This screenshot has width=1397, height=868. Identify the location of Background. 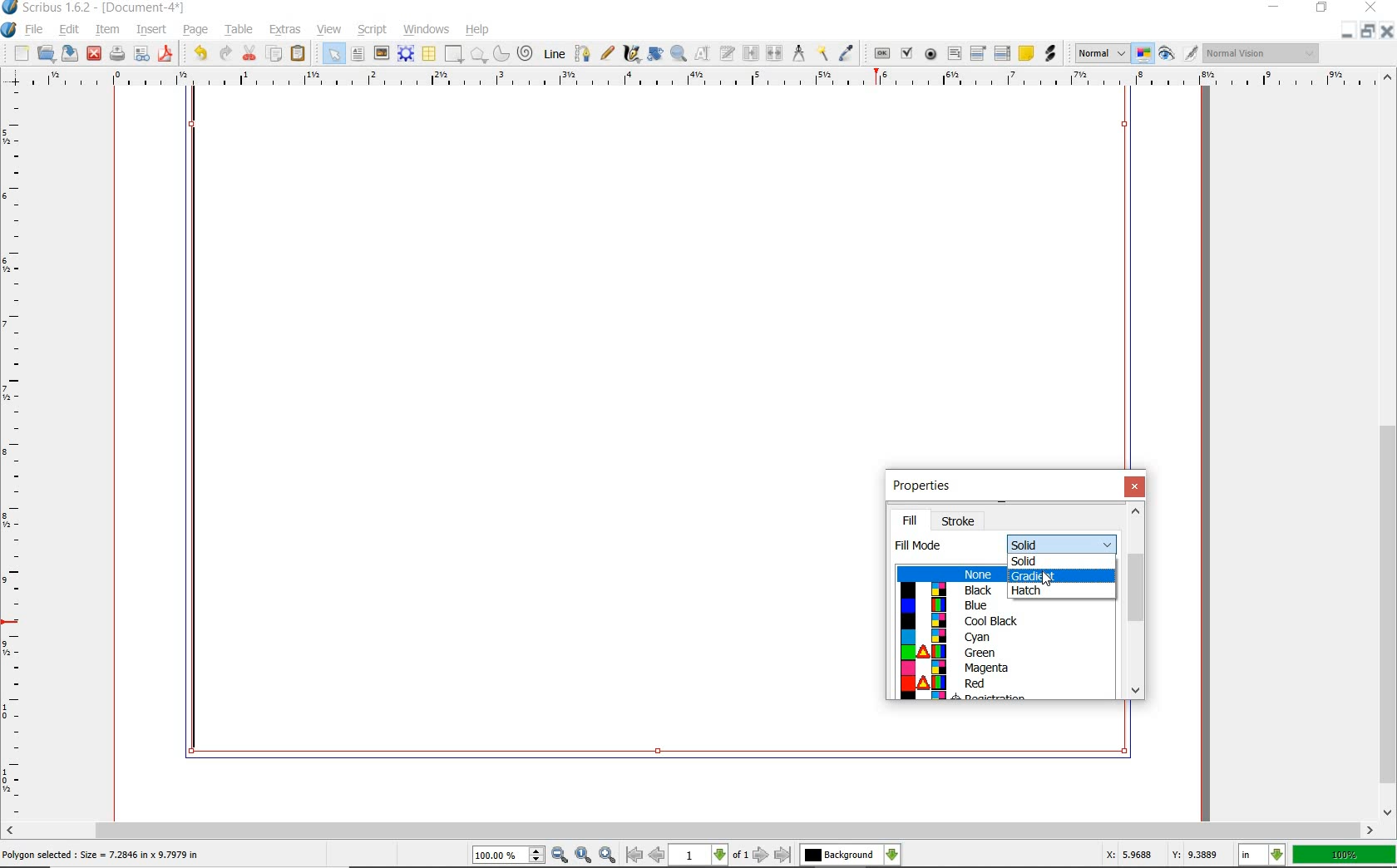
(851, 856).